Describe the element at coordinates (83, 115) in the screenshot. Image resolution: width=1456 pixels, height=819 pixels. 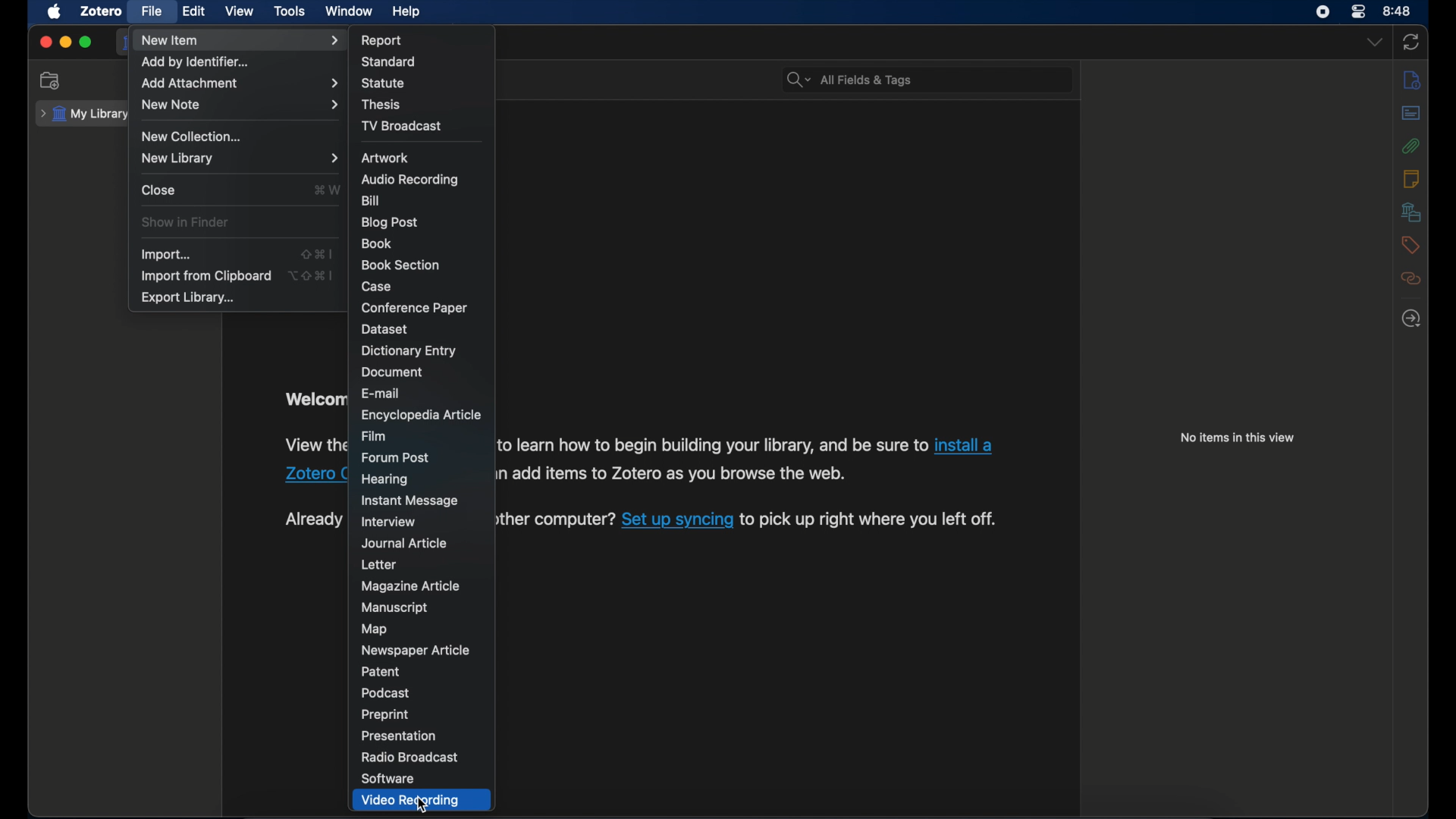
I see `my library` at that location.